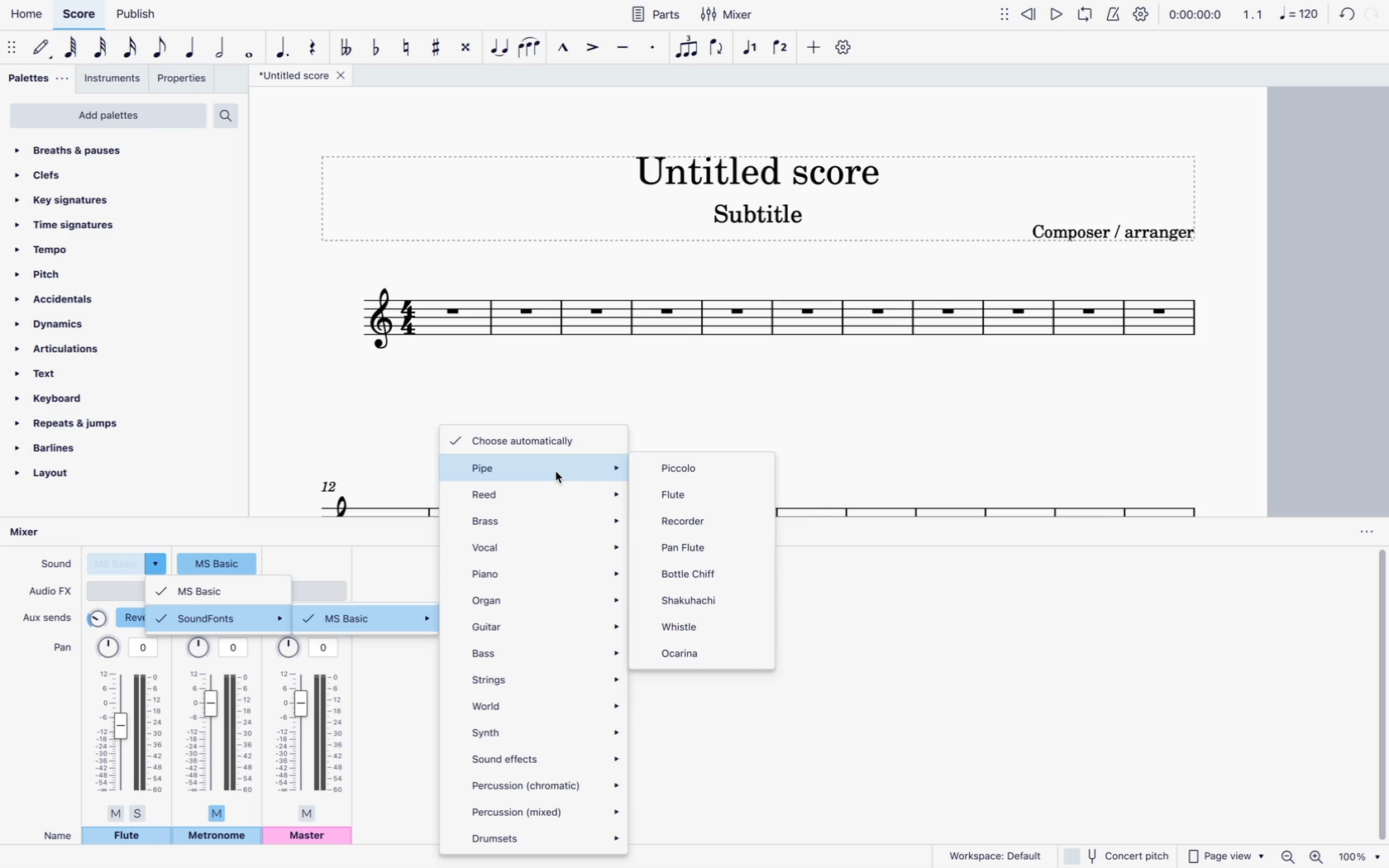 Image resolution: width=1389 pixels, height=868 pixels. I want to click on toggle double flat, so click(346, 47).